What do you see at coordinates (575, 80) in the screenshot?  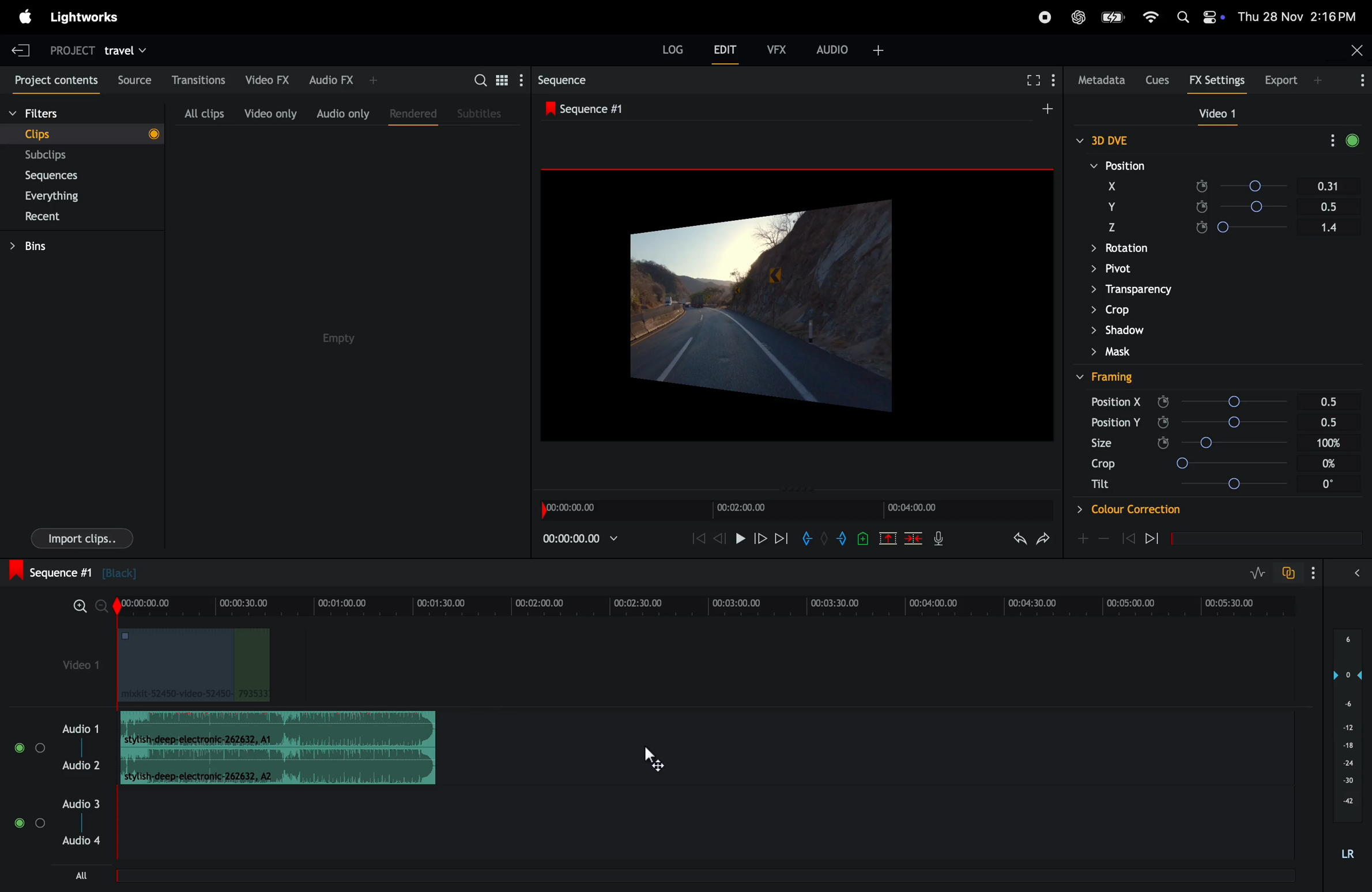 I see `sequence` at bounding box center [575, 80].